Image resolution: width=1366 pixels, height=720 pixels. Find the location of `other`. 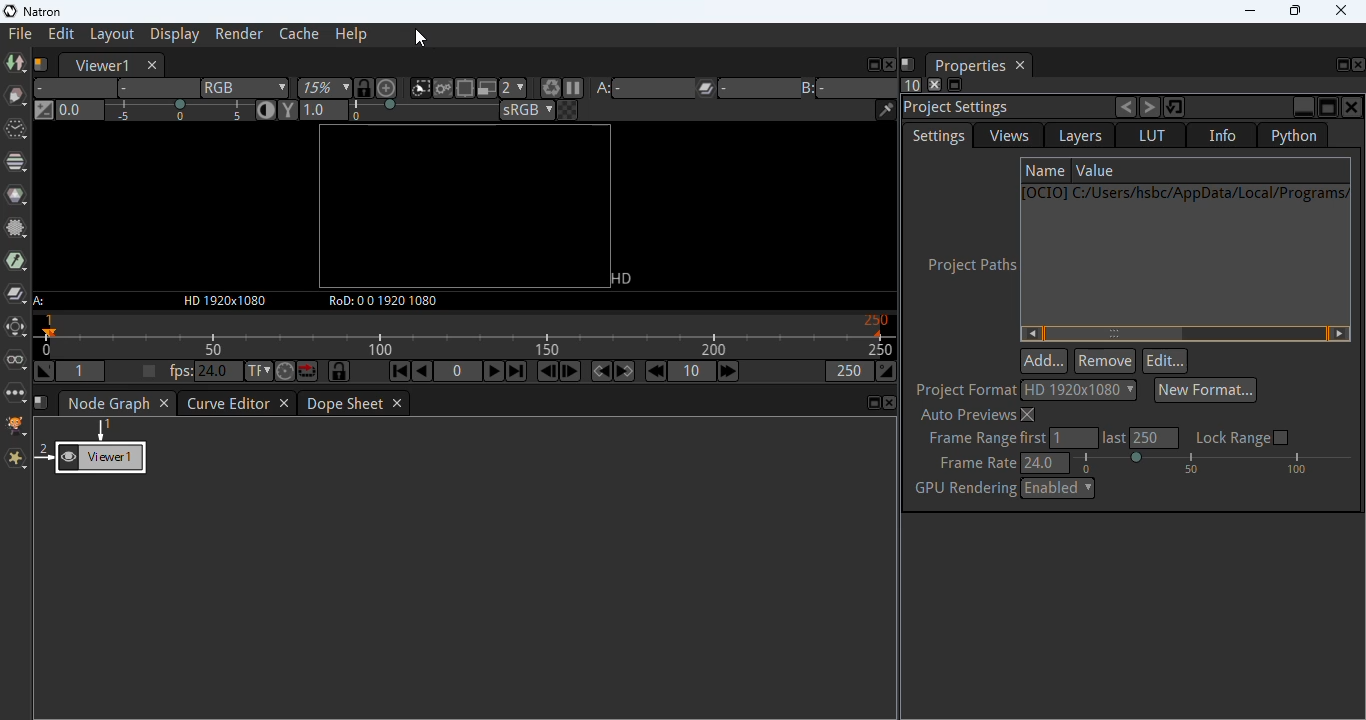

other is located at coordinates (15, 392).